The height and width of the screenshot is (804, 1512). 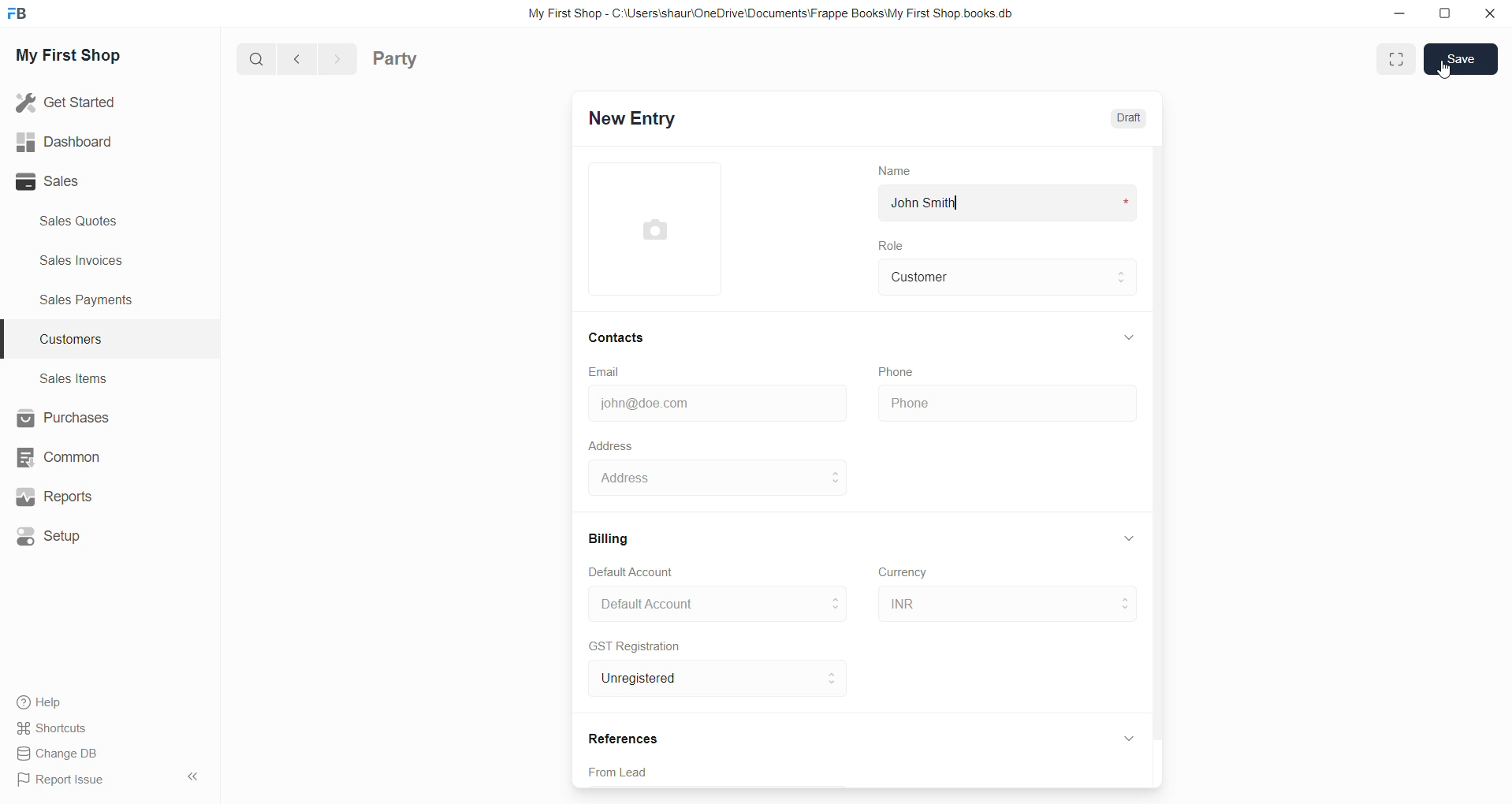 What do you see at coordinates (298, 60) in the screenshot?
I see `go back` at bounding box center [298, 60].